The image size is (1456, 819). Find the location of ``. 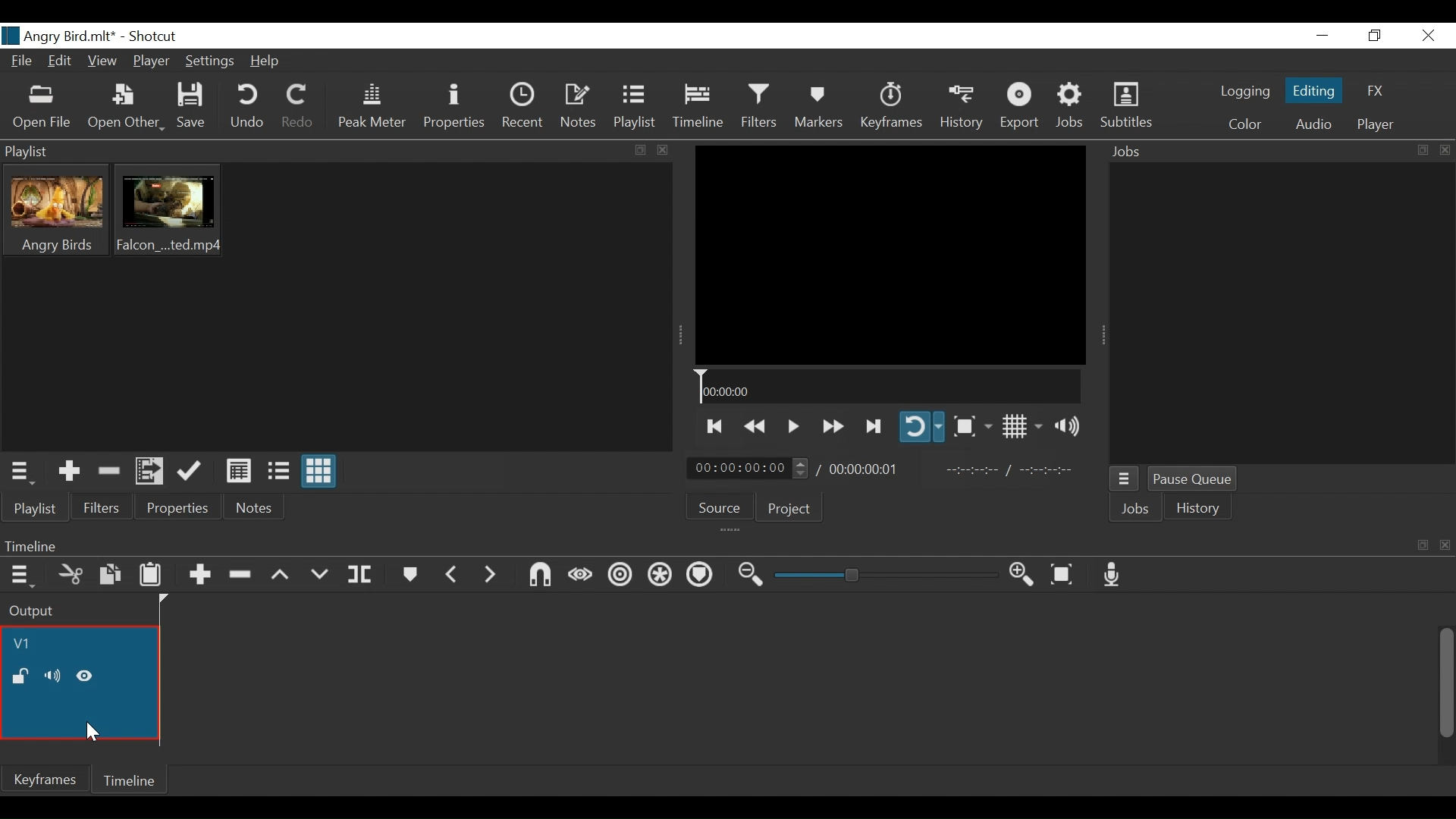

 is located at coordinates (759, 108).